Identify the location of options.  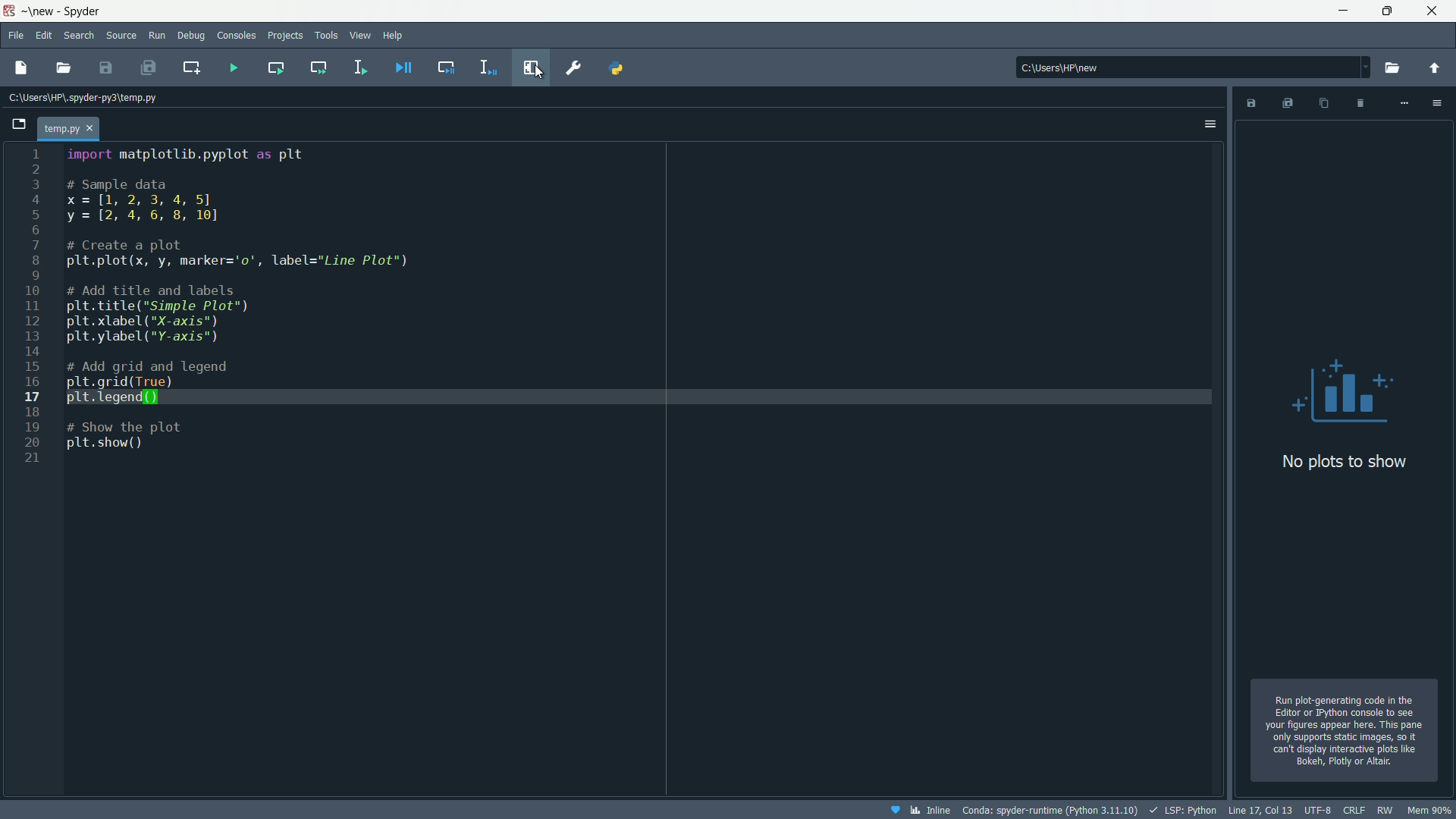
(1209, 125).